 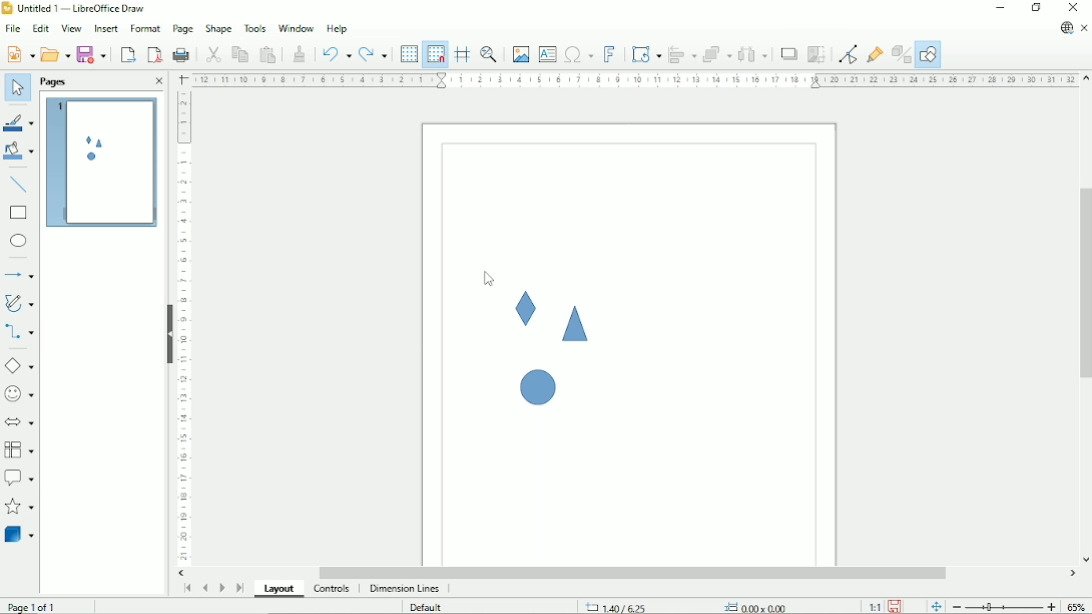 What do you see at coordinates (99, 163) in the screenshot?
I see `Preview` at bounding box center [99, 163].